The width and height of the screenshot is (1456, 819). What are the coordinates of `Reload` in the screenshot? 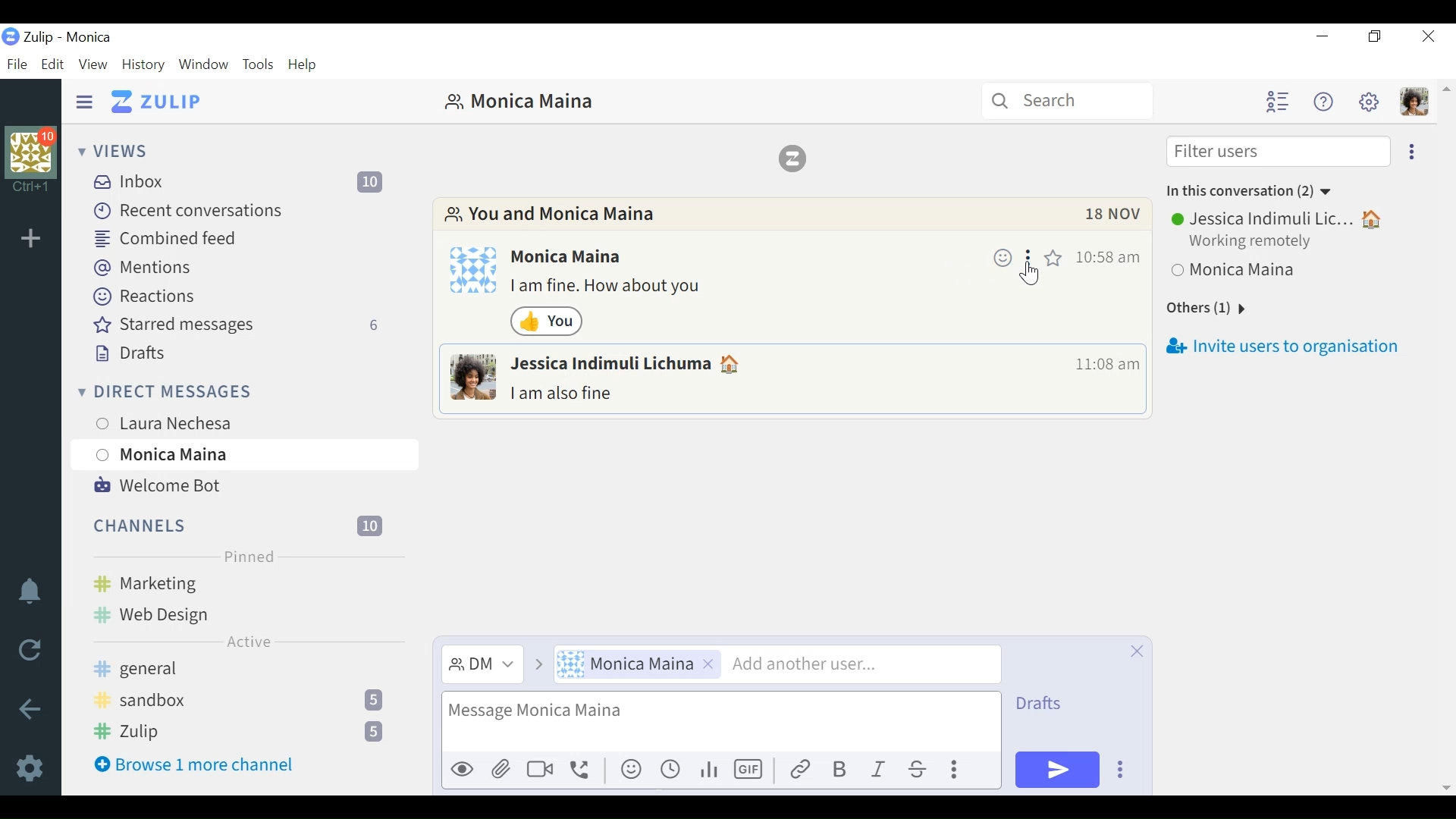 It's located at (30, 651).